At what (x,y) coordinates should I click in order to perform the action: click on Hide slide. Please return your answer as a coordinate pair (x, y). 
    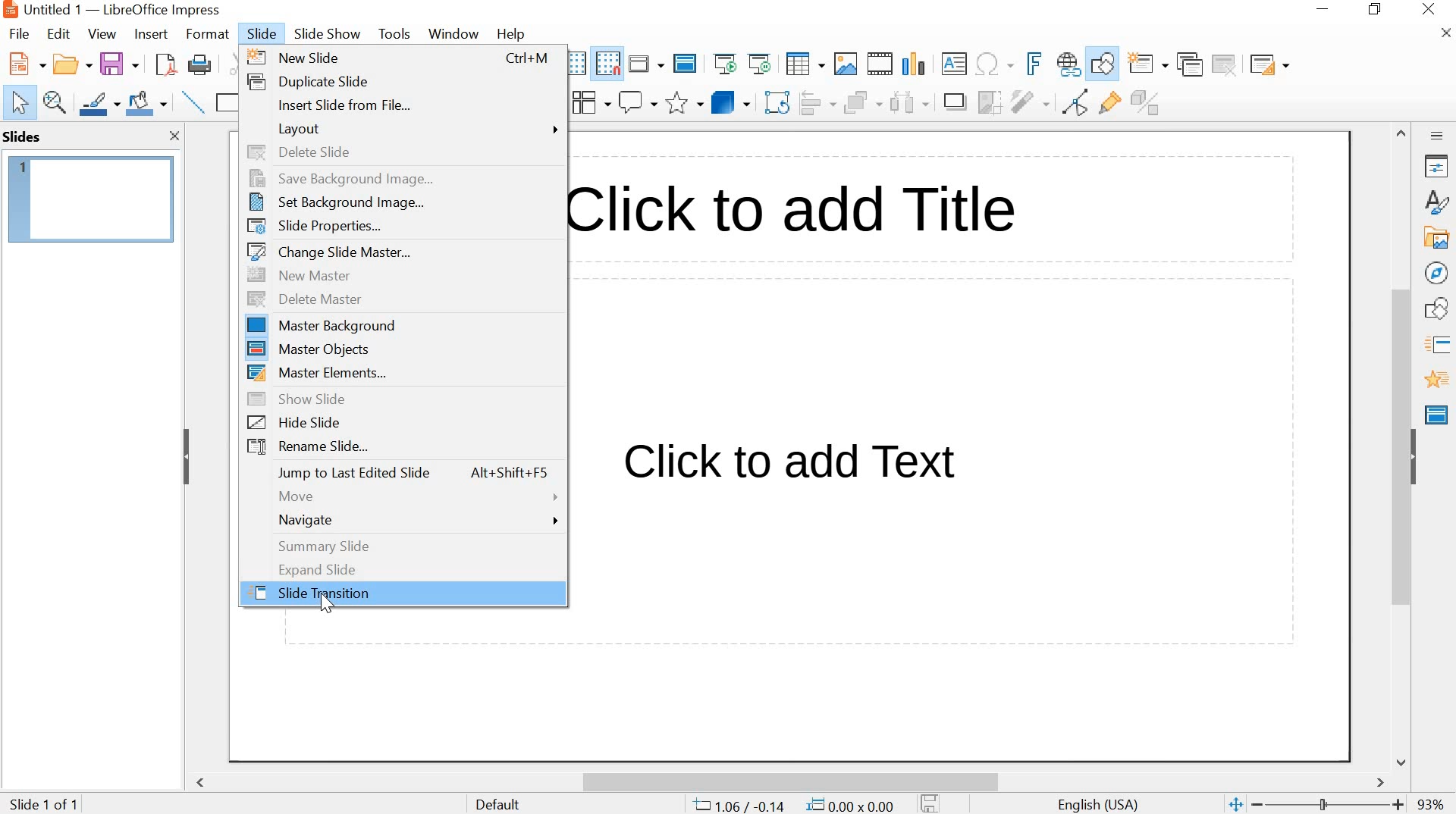
    Looking at the image, I should click on (399, 421).